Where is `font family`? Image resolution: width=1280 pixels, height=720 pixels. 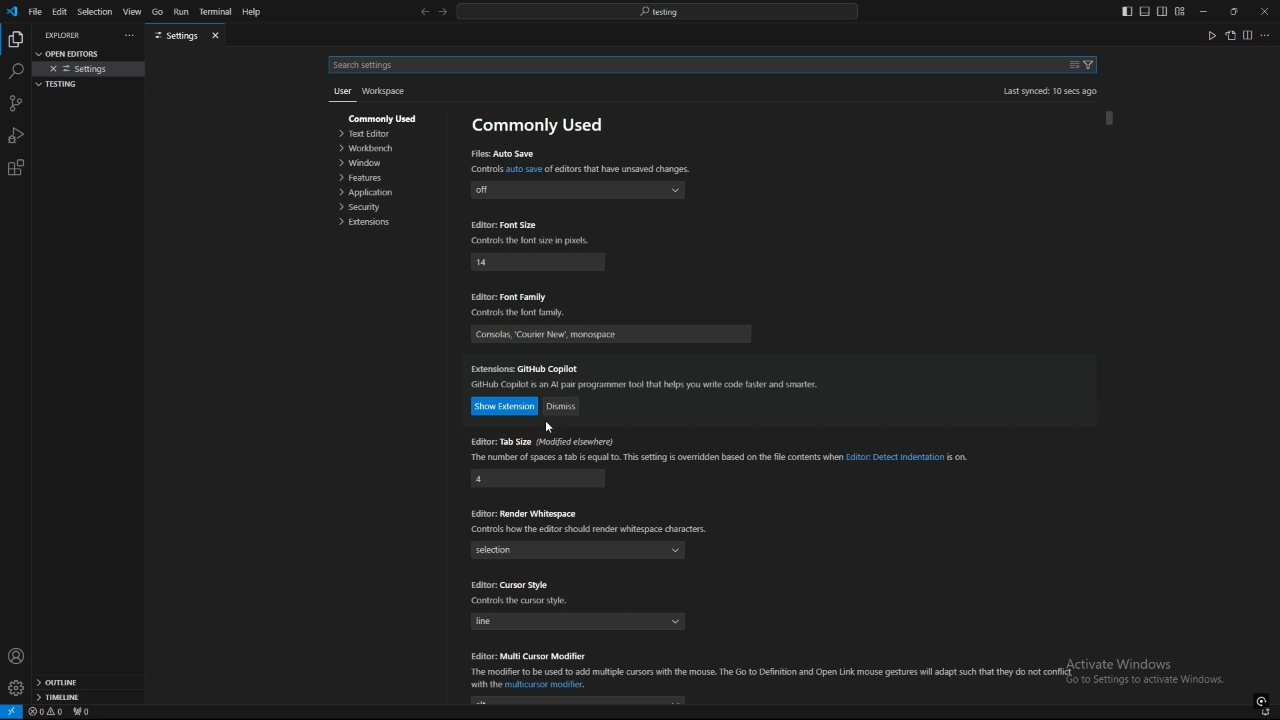 font family is located at coordinates (613, 333).